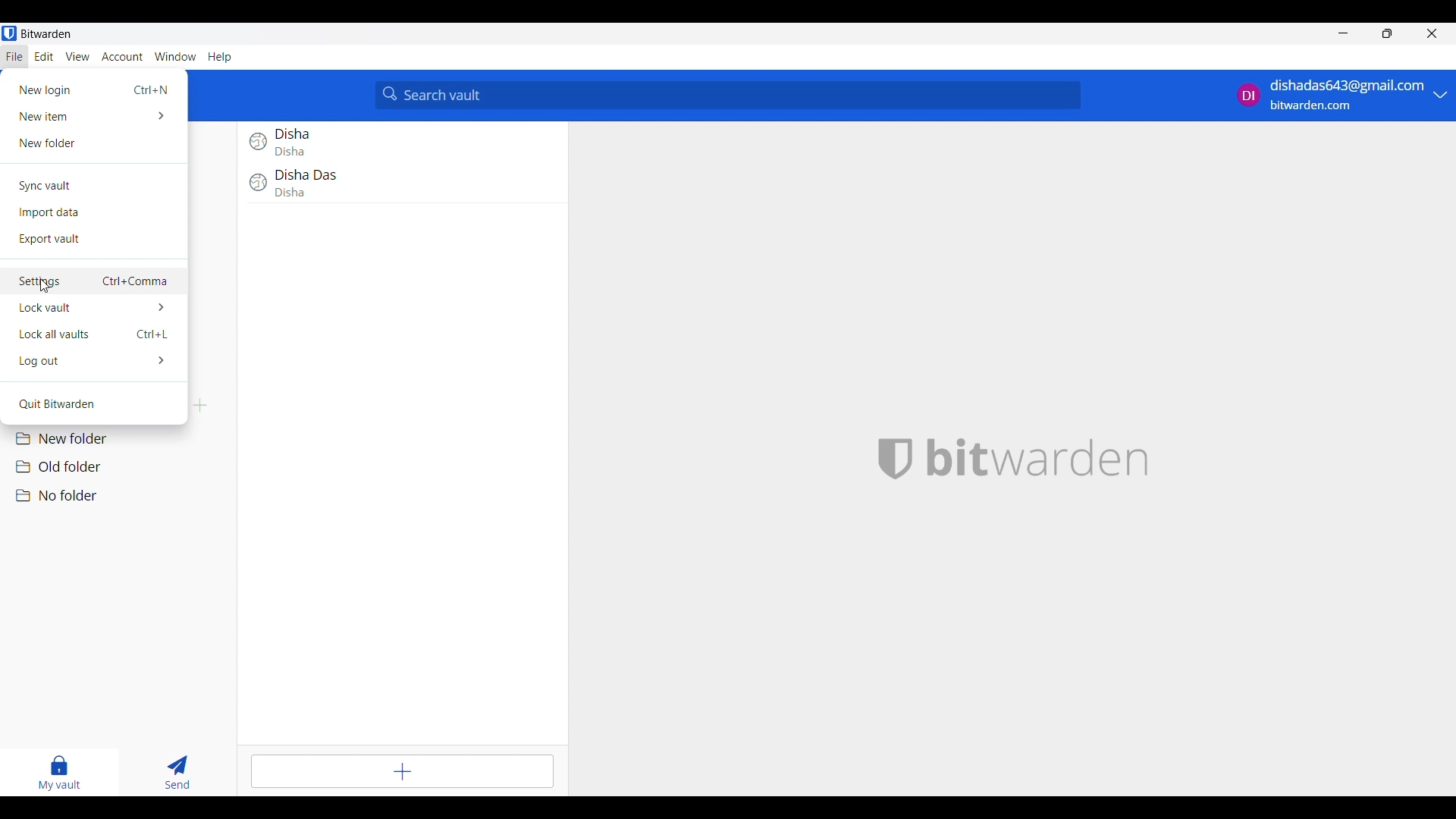  Describe the element at coordinates (122, 57) in the screenshot. I see `Account menu` at that location.